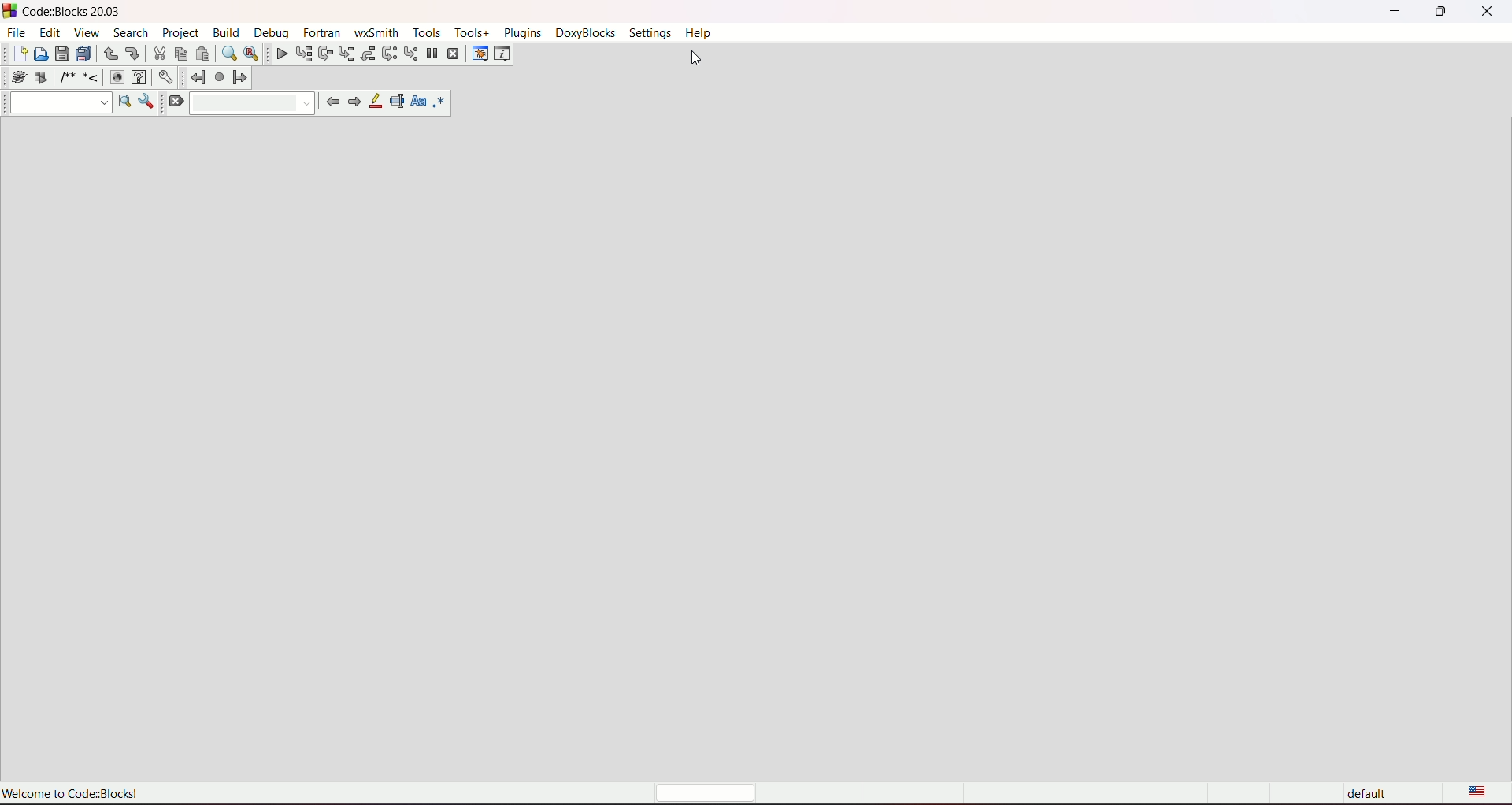 The image size is (1512, 805). What do you see at coordinates (206, 54) in the screenshot?
I see `paste` at bounding box center [206, 54].